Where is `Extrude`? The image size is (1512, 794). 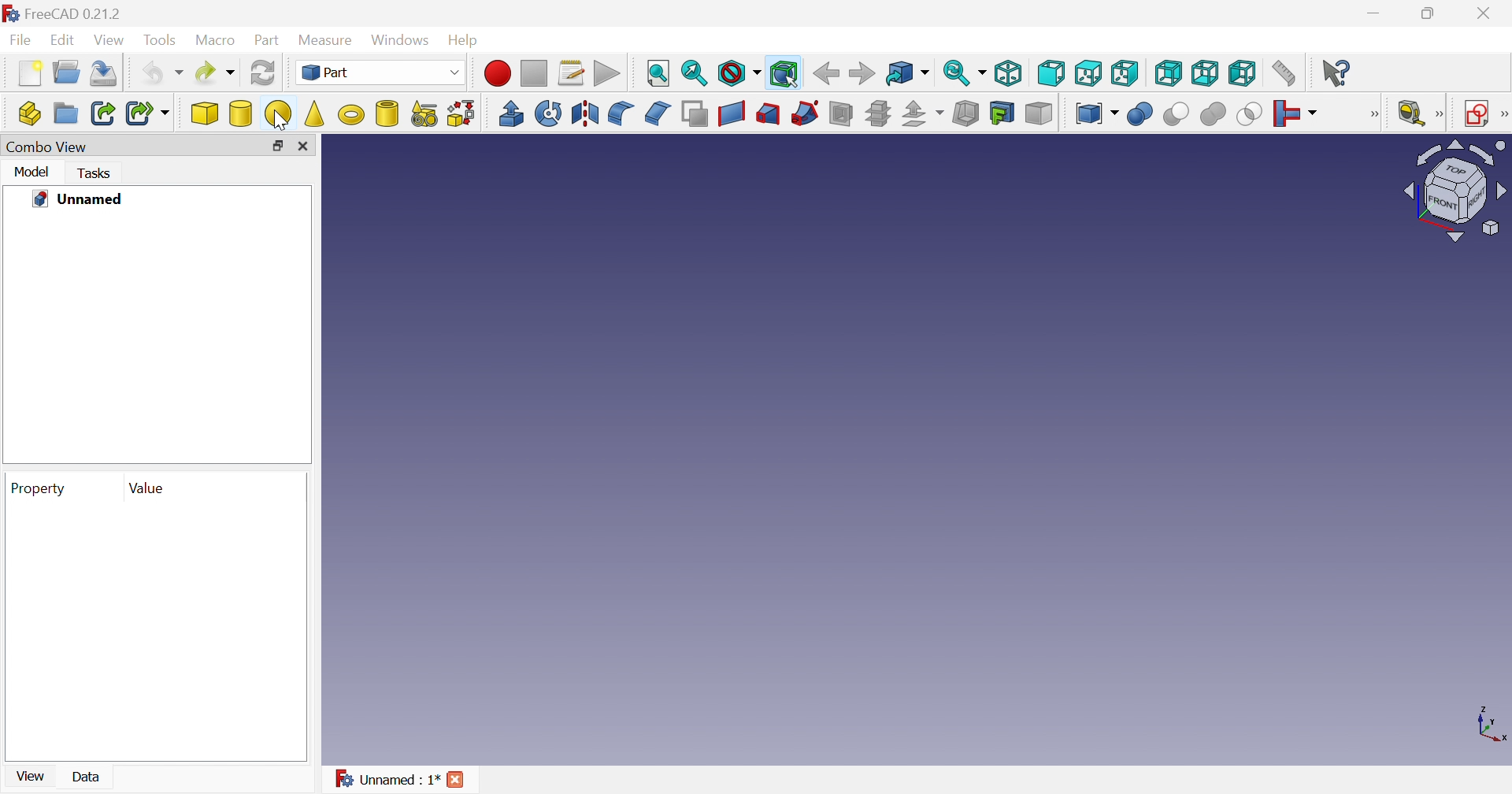
Extrude is located at coordinates (510, 113).